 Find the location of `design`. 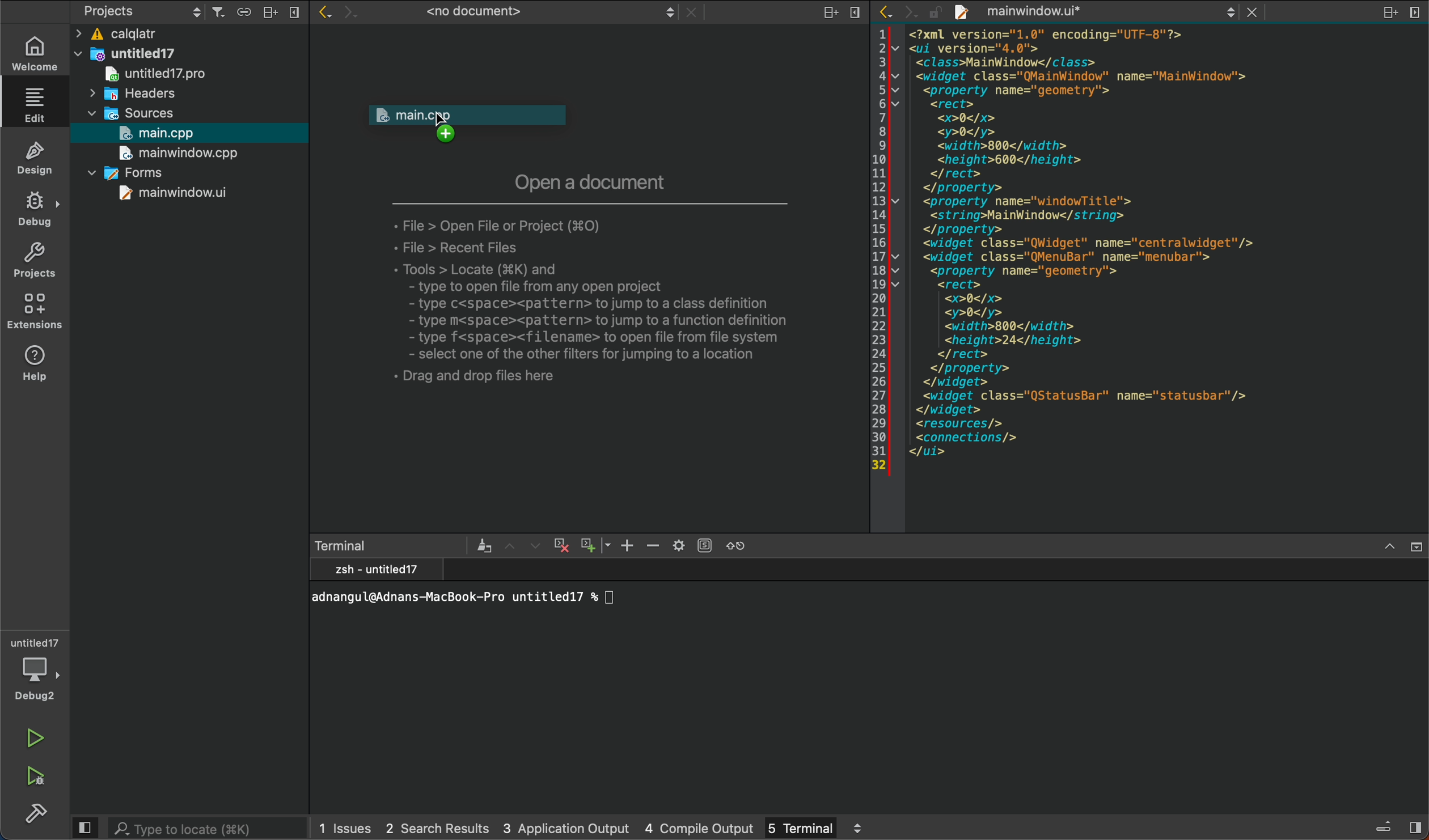

design is located at coordinates (36, 156).